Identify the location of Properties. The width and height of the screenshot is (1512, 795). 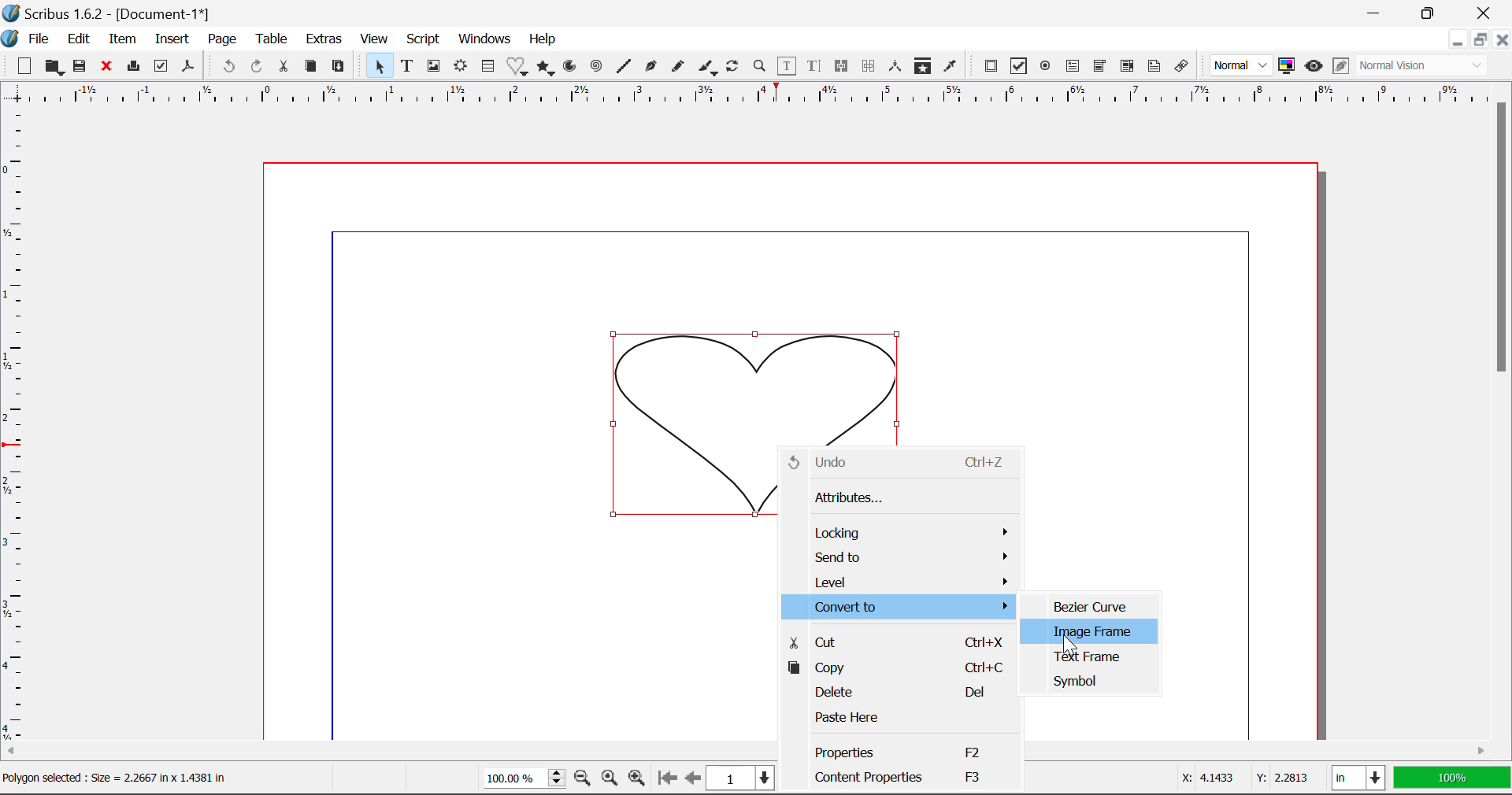
(898, 751).